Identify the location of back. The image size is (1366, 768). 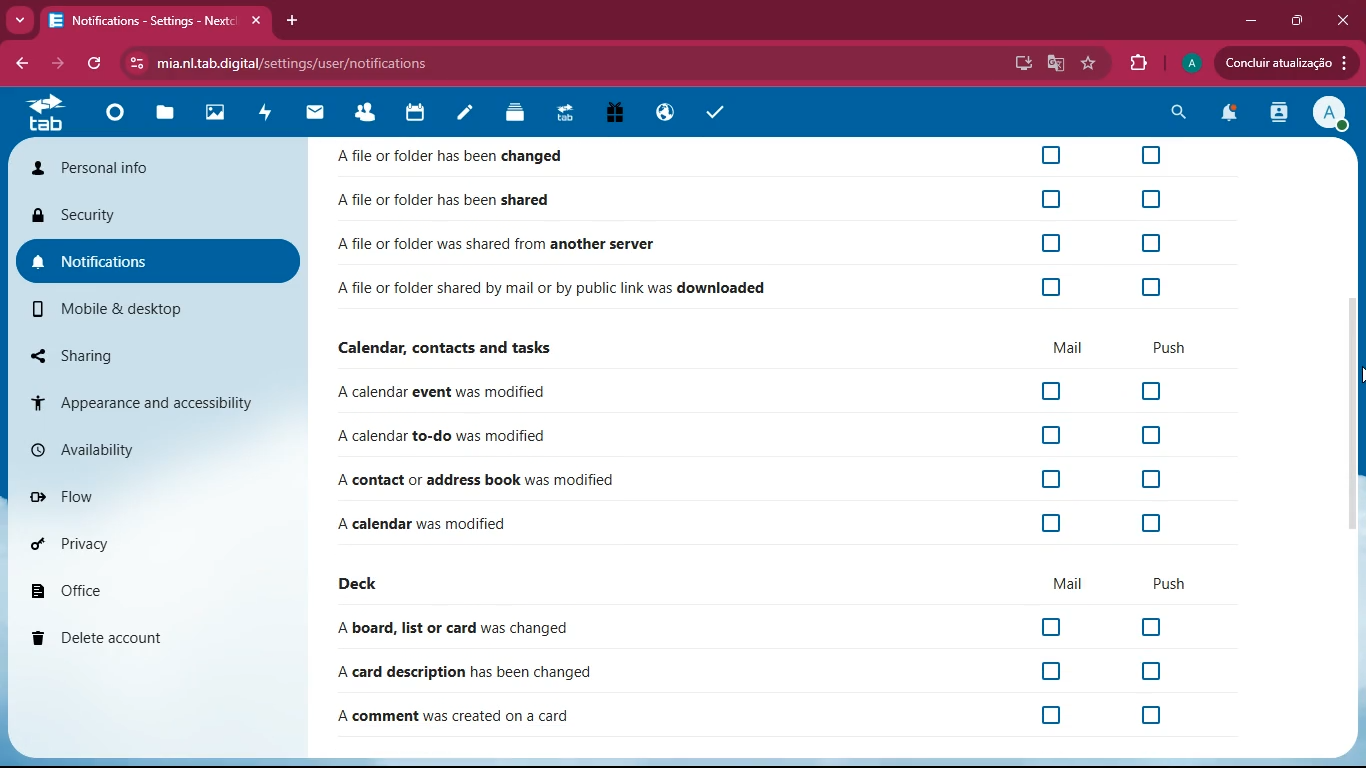
(18, 61).